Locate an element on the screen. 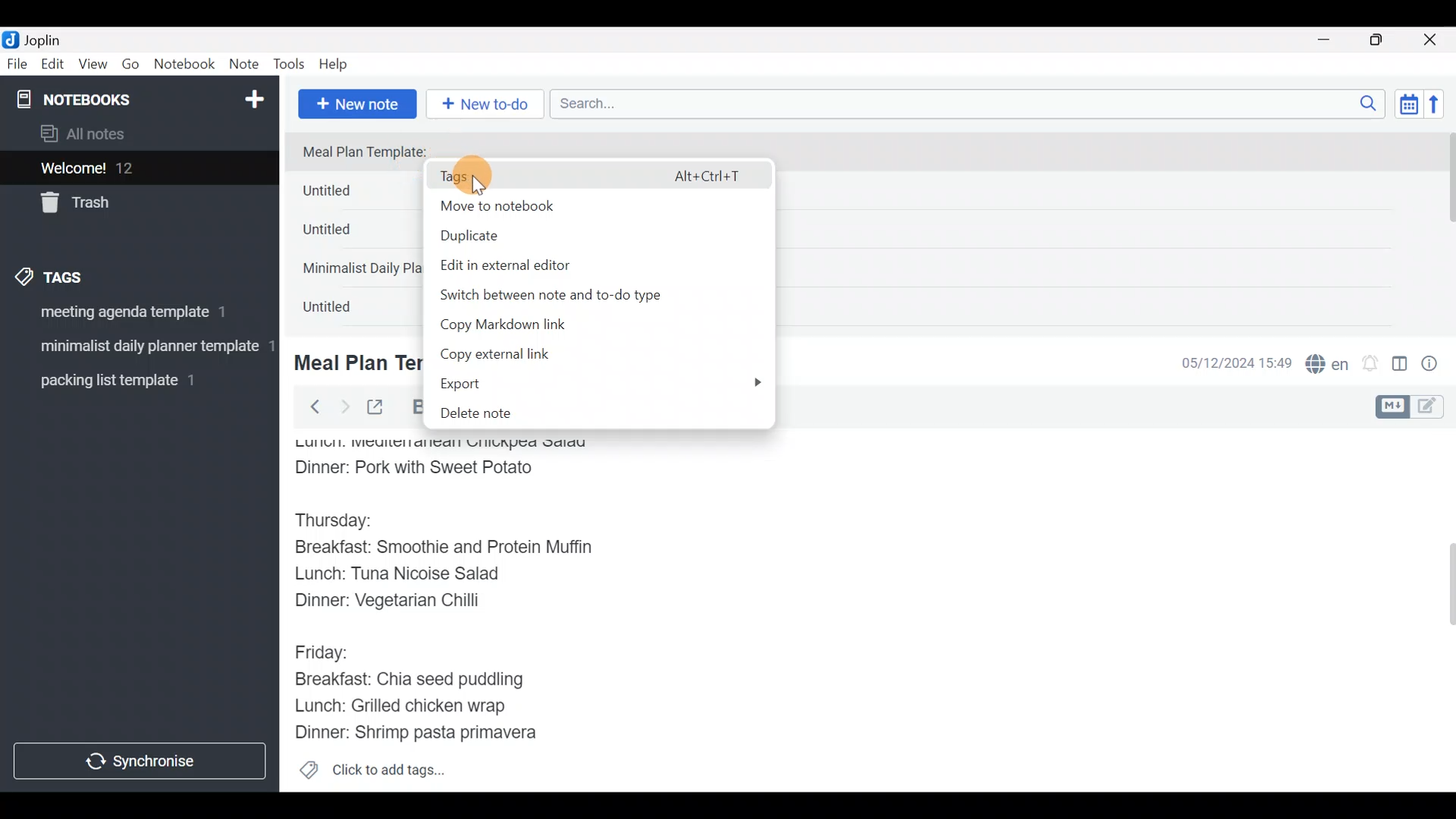  Friday: is located at coordinates (326, 651).